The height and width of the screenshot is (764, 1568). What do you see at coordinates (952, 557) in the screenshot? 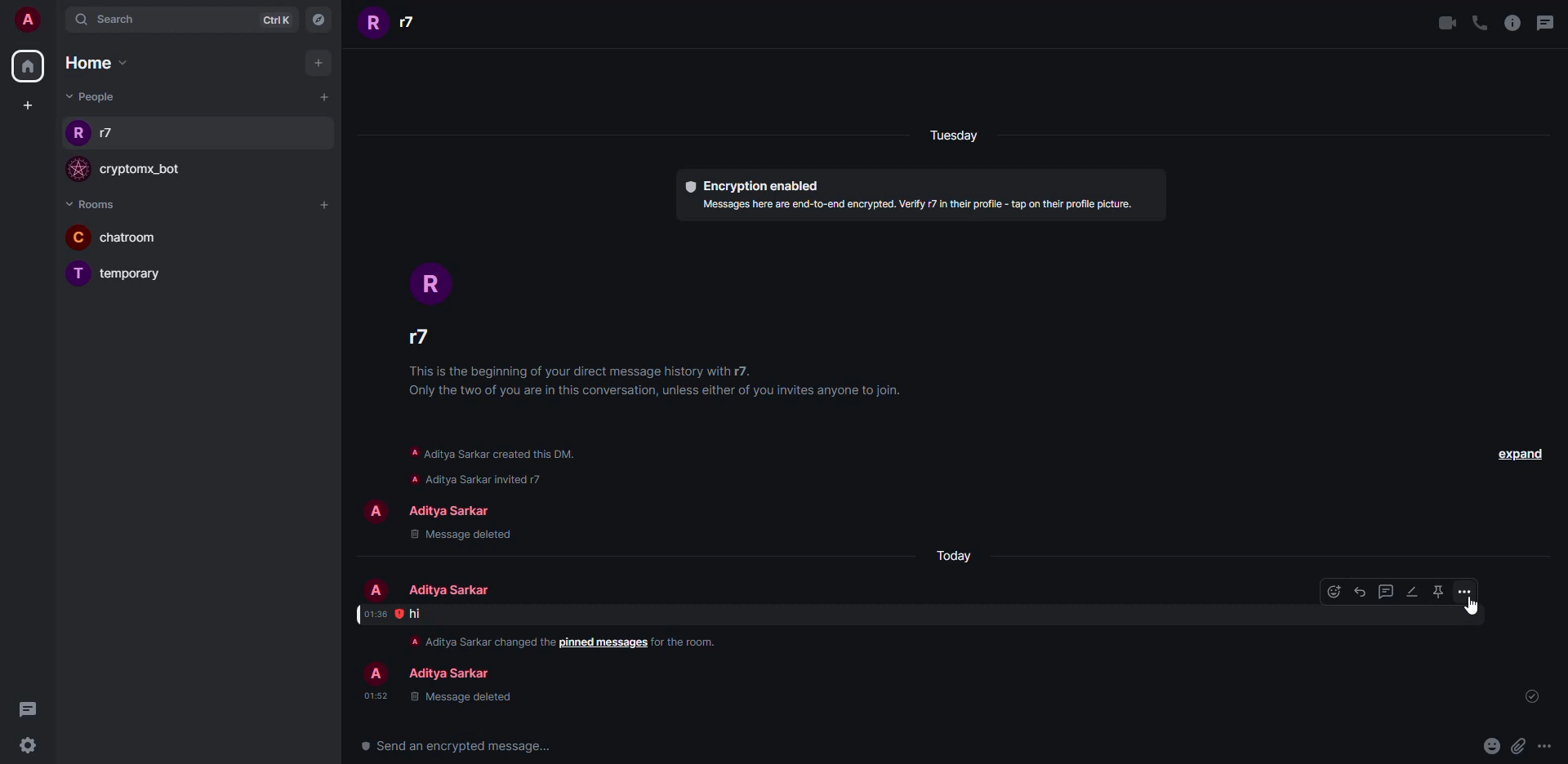
I see `day` at bounding box center [952, 557].